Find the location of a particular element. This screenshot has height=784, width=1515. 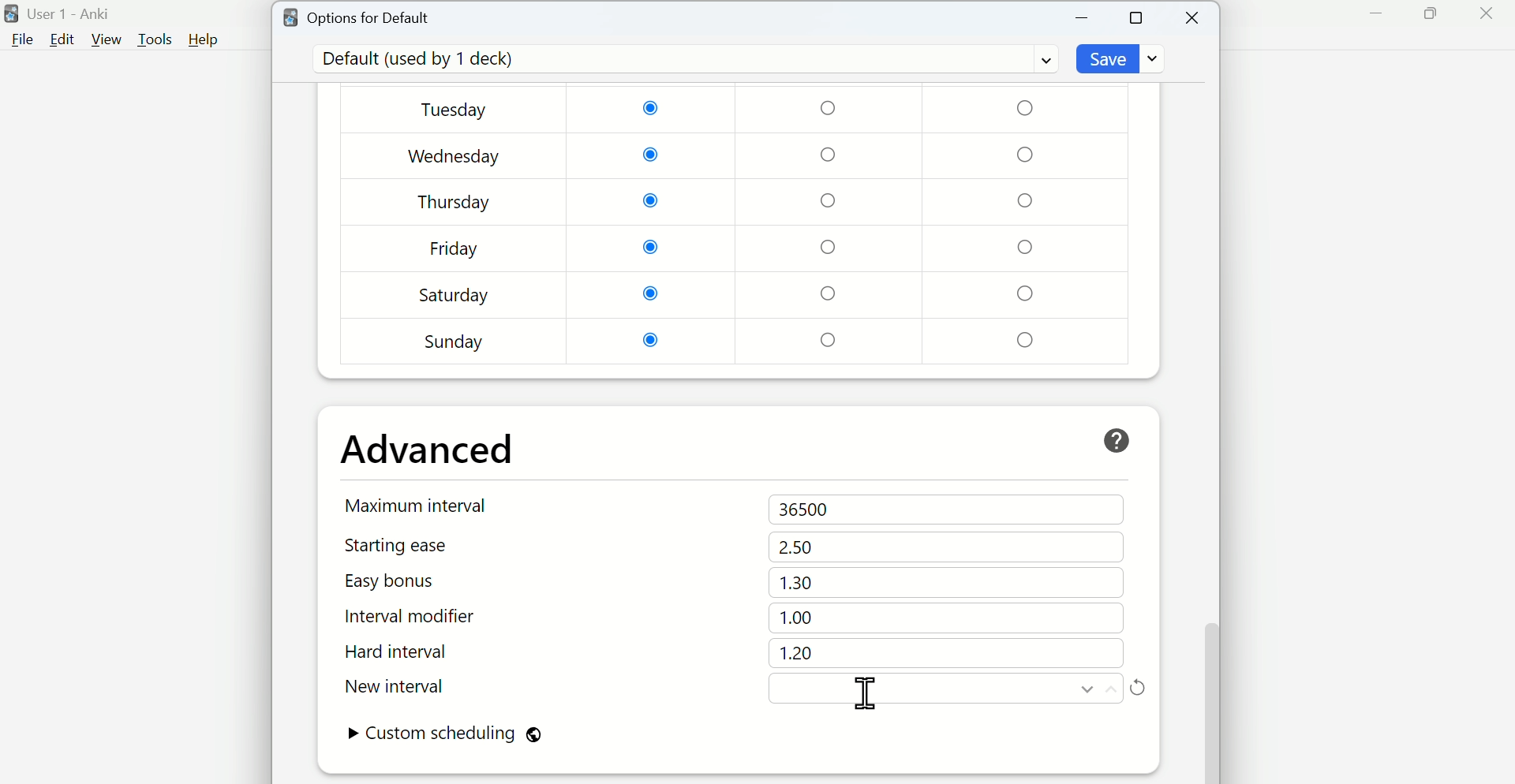

New interval is located at coordinates (417, 686).